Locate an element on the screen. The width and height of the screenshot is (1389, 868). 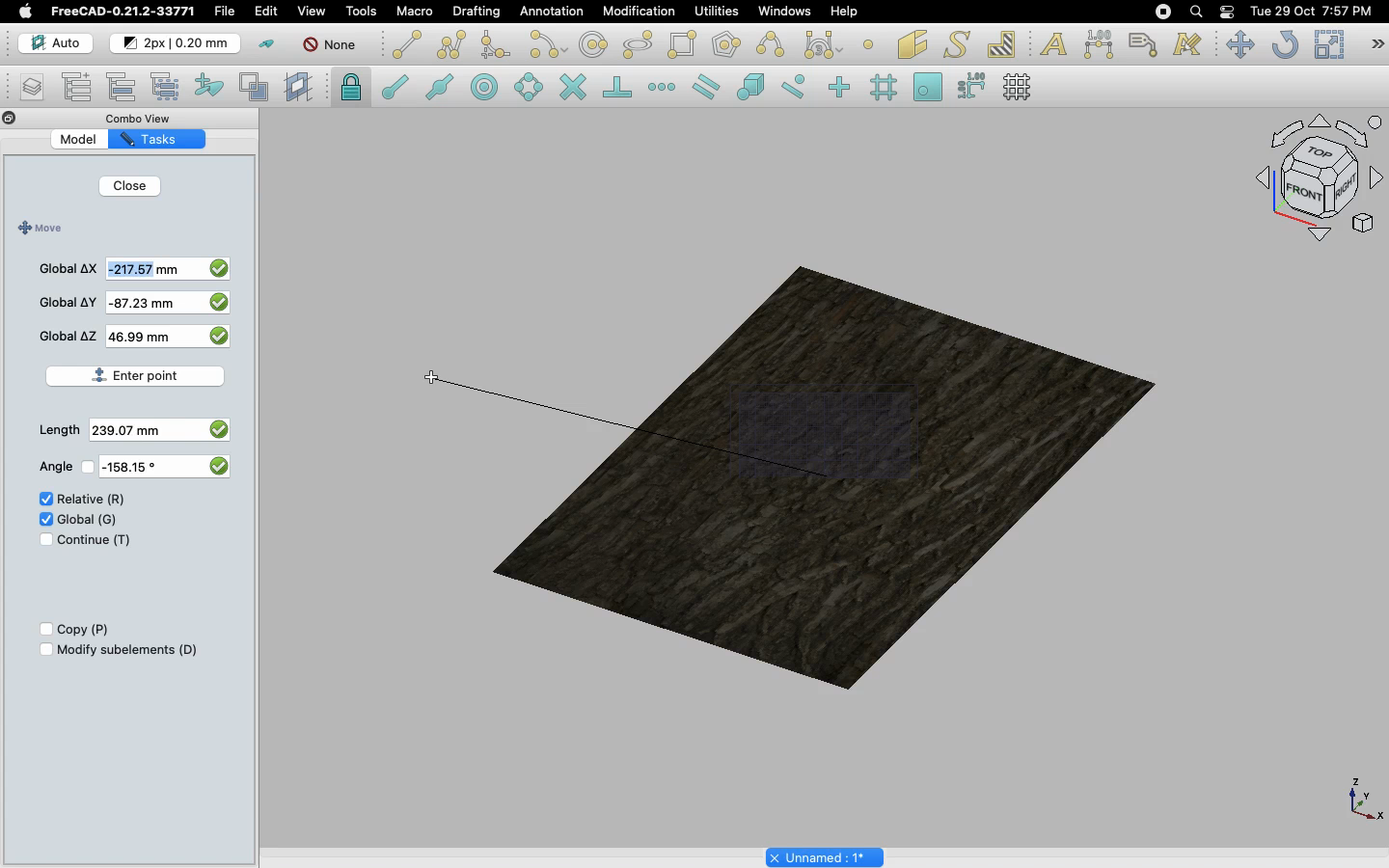
Help is located at coordinates (844, 11).